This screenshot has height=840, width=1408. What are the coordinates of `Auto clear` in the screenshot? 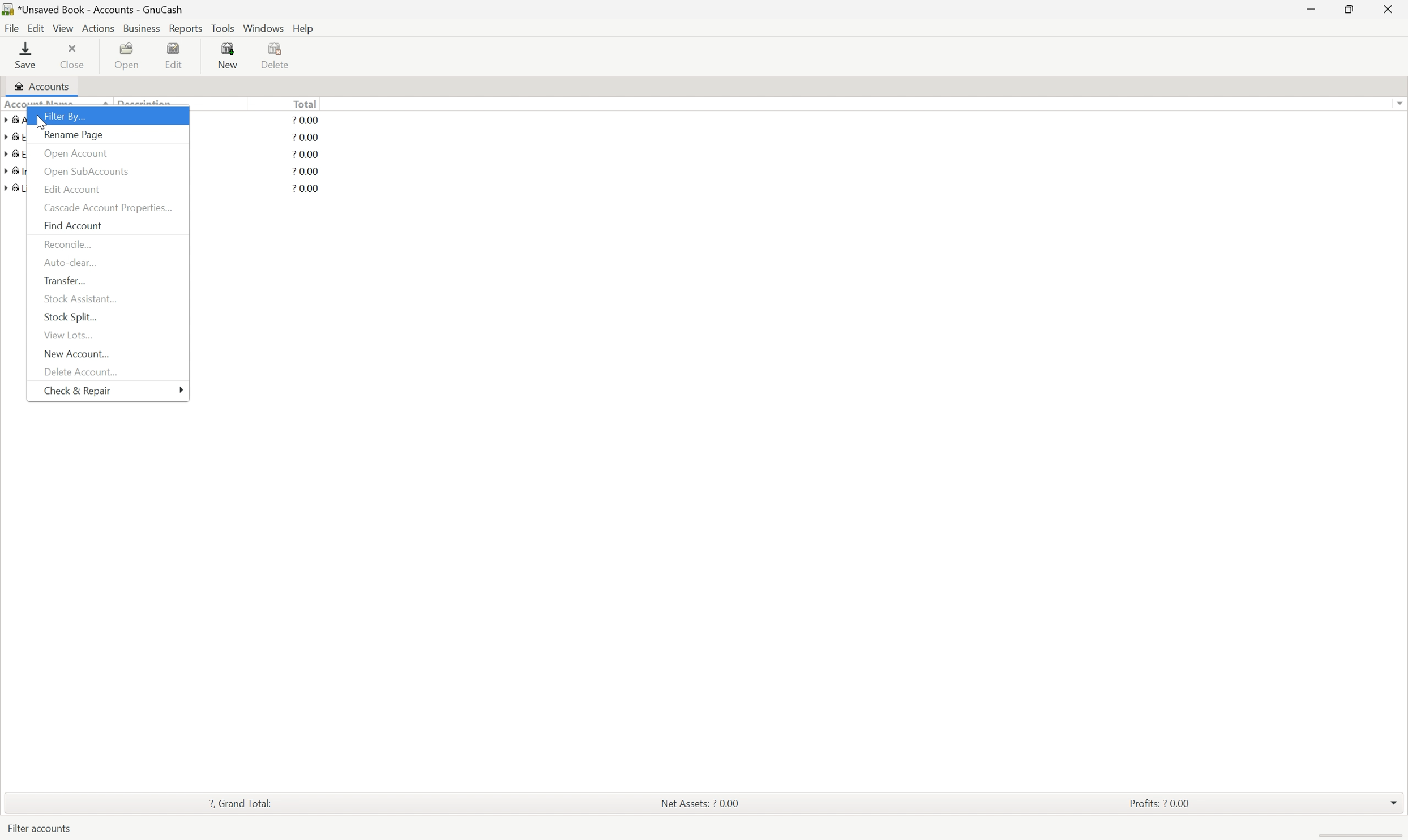 It's located at (70, 263).